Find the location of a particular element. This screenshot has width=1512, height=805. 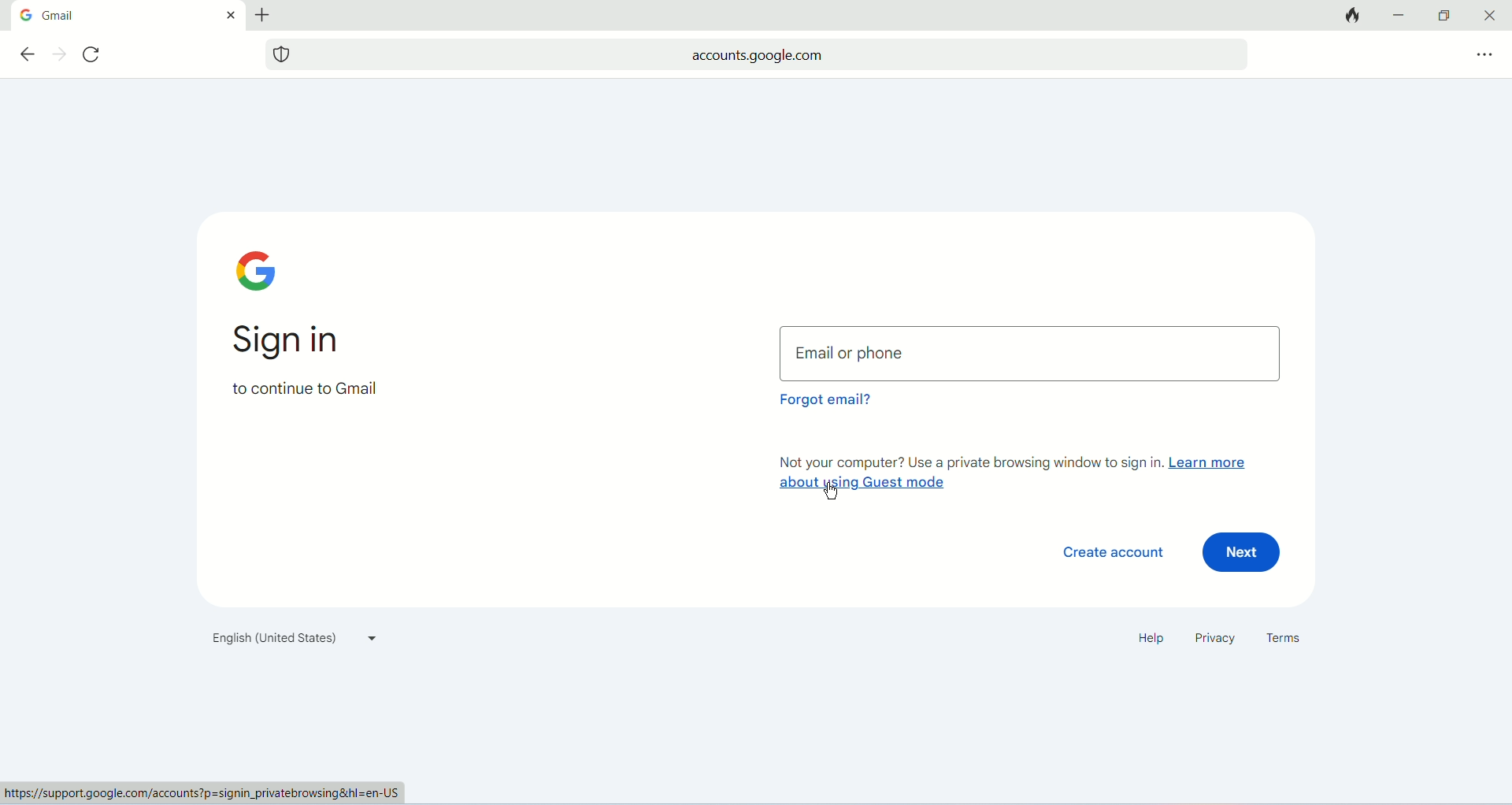

website tracking logo is located at coordinates (282, 54).